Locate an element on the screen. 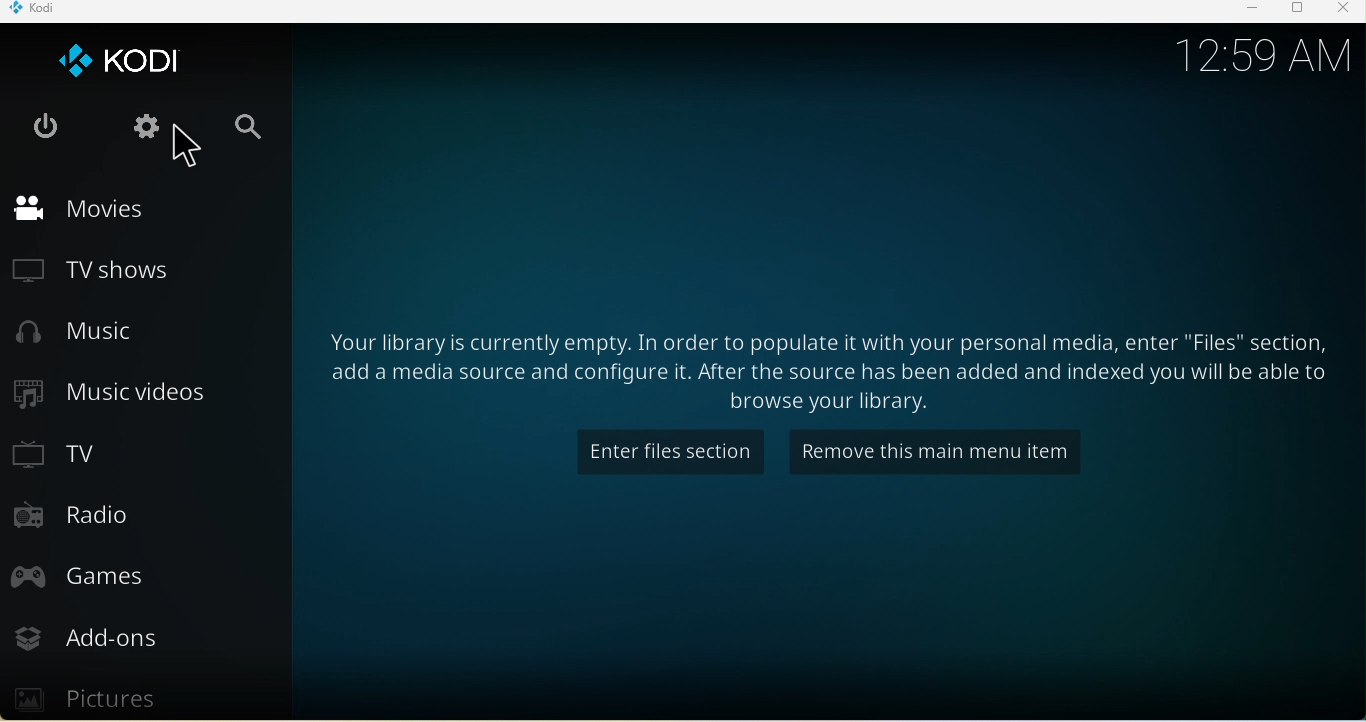 This screenshot has height=722, width=1366. Kodi icon is located at coordinates (114, 63).